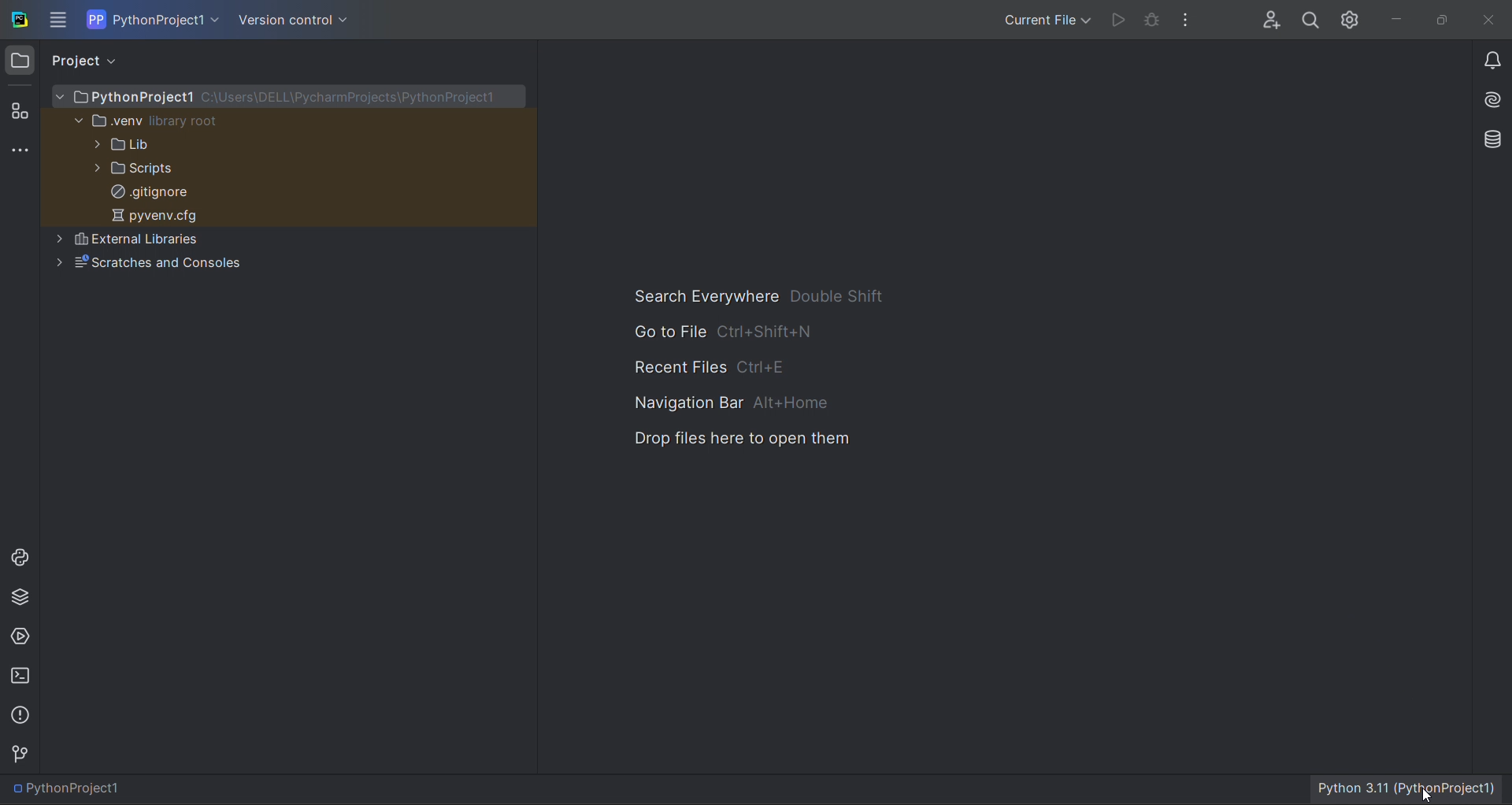 The height and width of the screenshot is (805, 1512). Describe the element at coordinates (297, 21) in the screenshot. I see `version control` at that location.